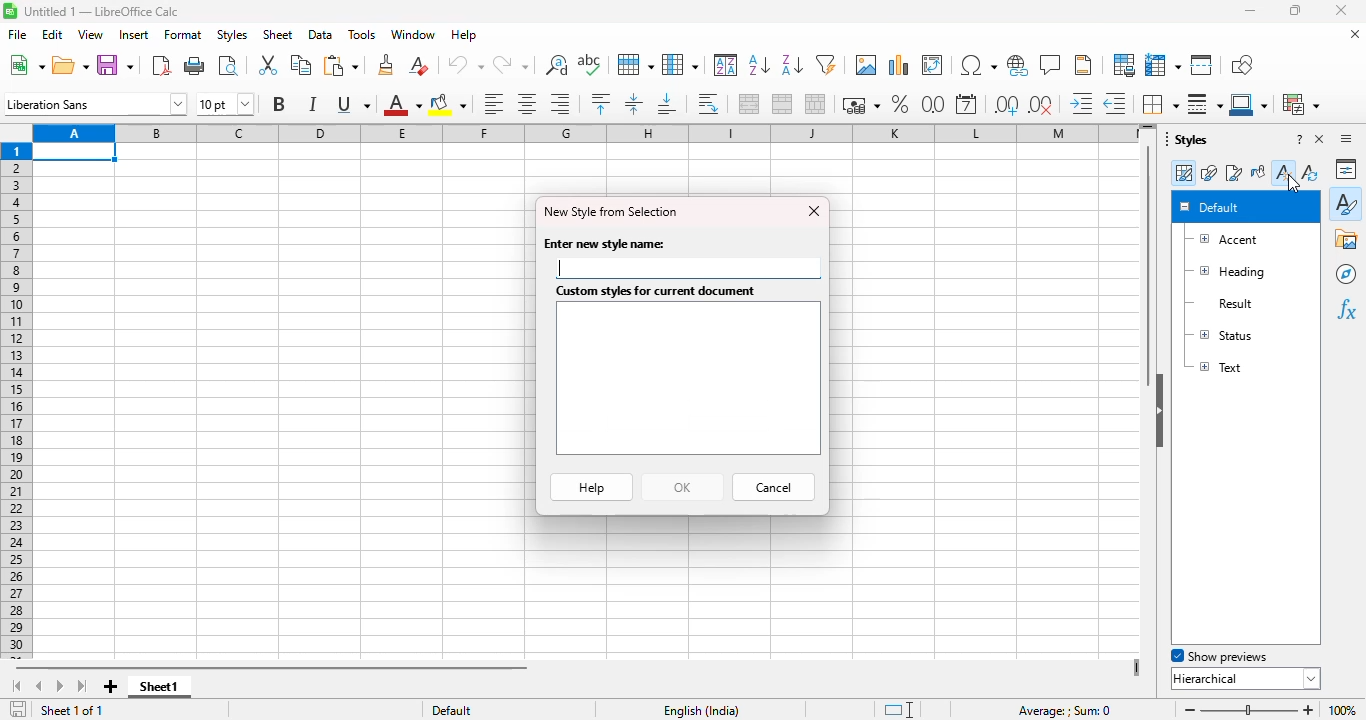 This screenshot has height=720, width=1366. I want to click on align left, so click(494, 103).